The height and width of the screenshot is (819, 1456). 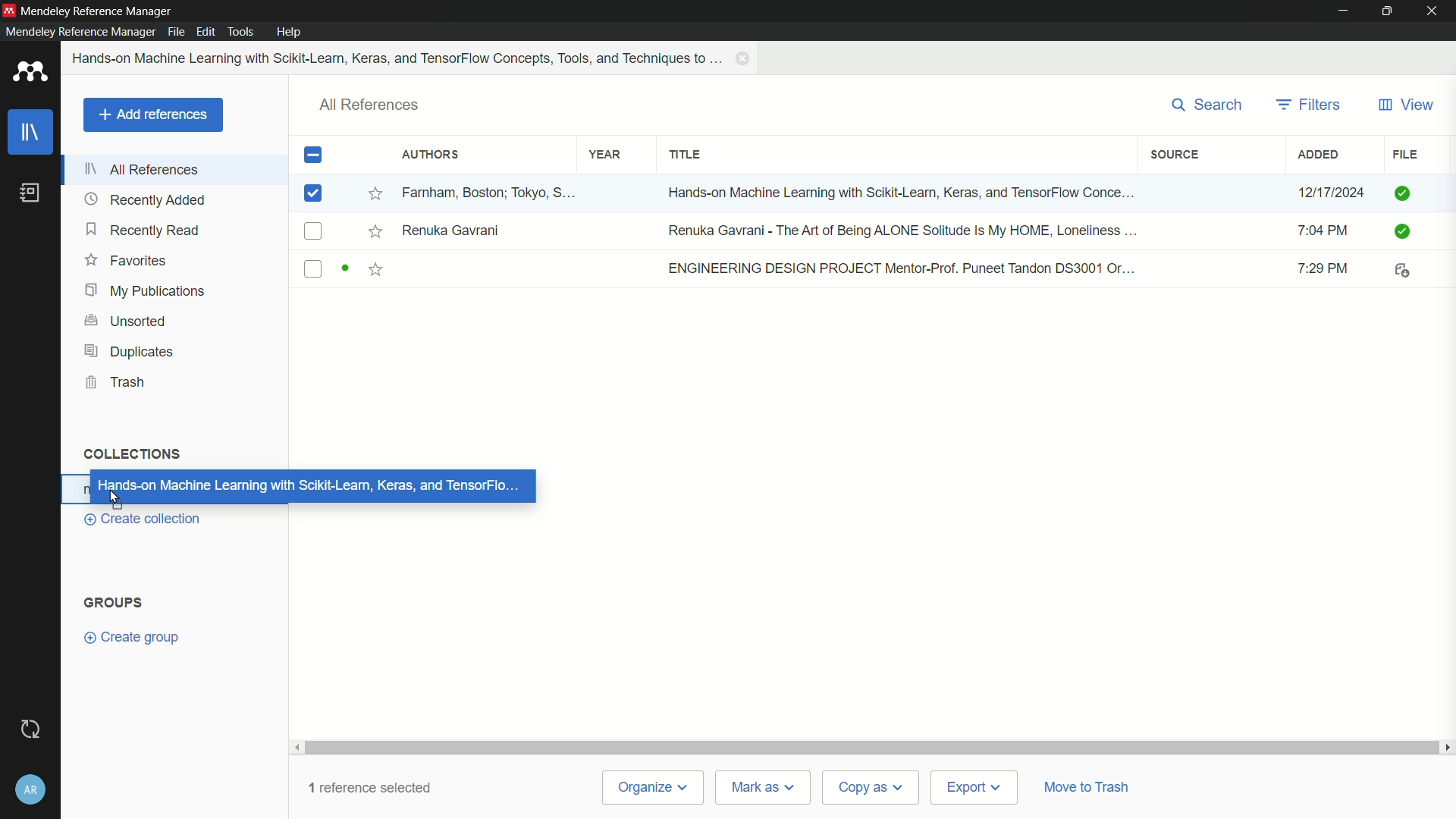 I want to click on maximize, so click(x=1391, y=11).